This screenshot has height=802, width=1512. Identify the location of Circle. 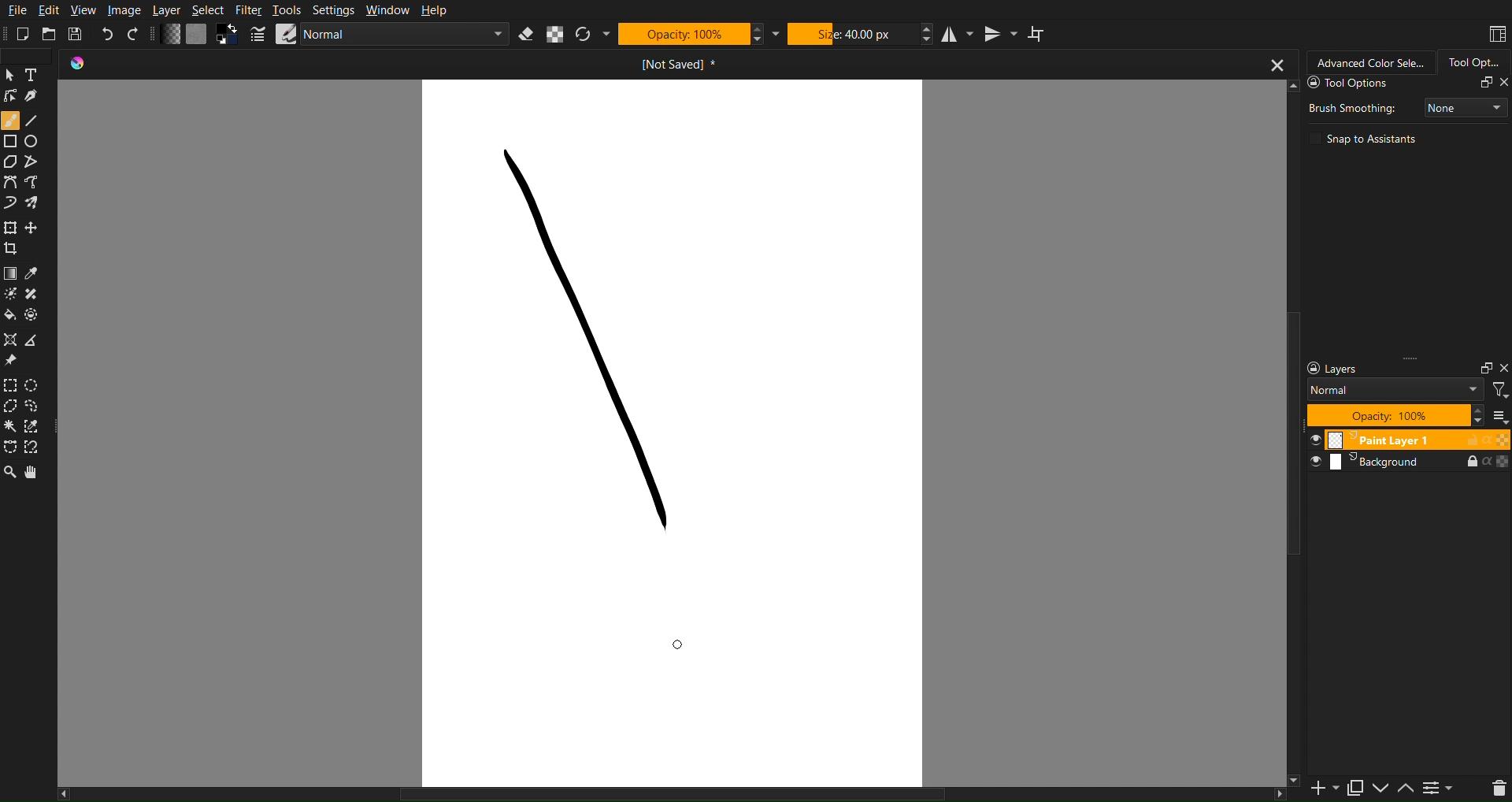
(35, 142).